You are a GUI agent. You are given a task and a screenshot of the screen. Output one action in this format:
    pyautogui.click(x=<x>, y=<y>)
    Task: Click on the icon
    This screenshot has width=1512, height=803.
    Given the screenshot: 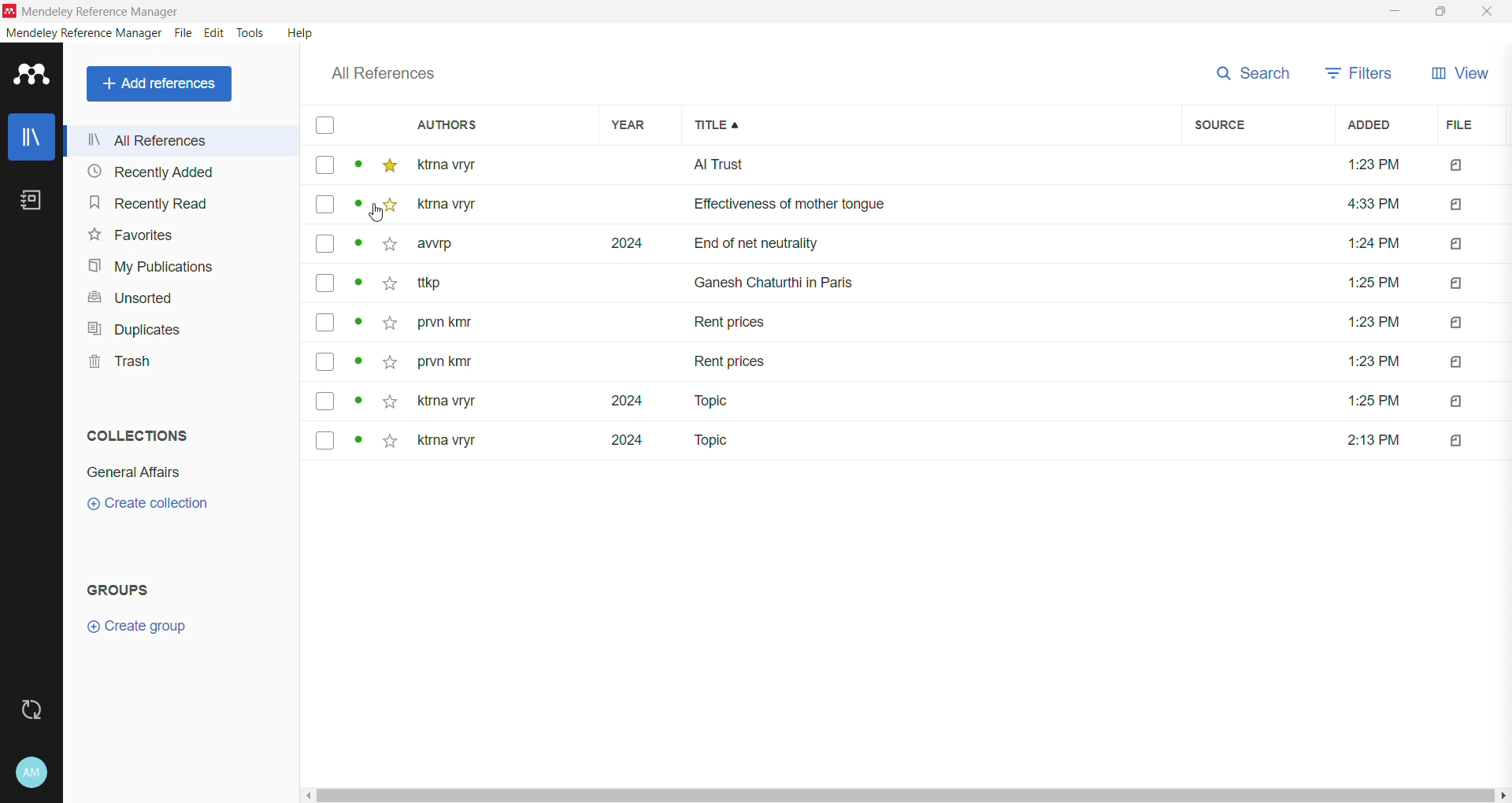 What is the action you would take?
    pyautogui.click(x=1461, y=324)
    